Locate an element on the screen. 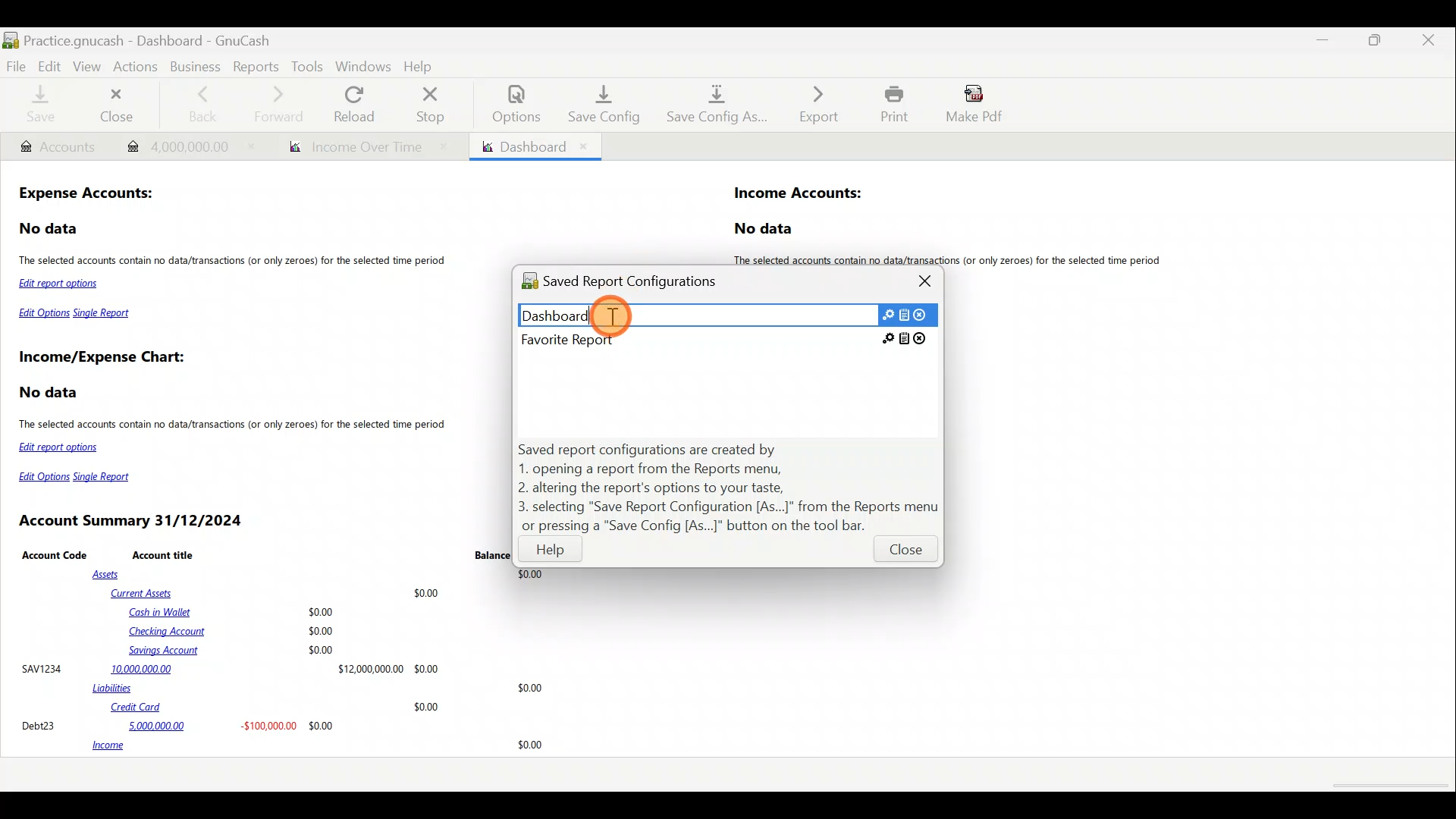  Edit report options is located at coordinates (62, 285).